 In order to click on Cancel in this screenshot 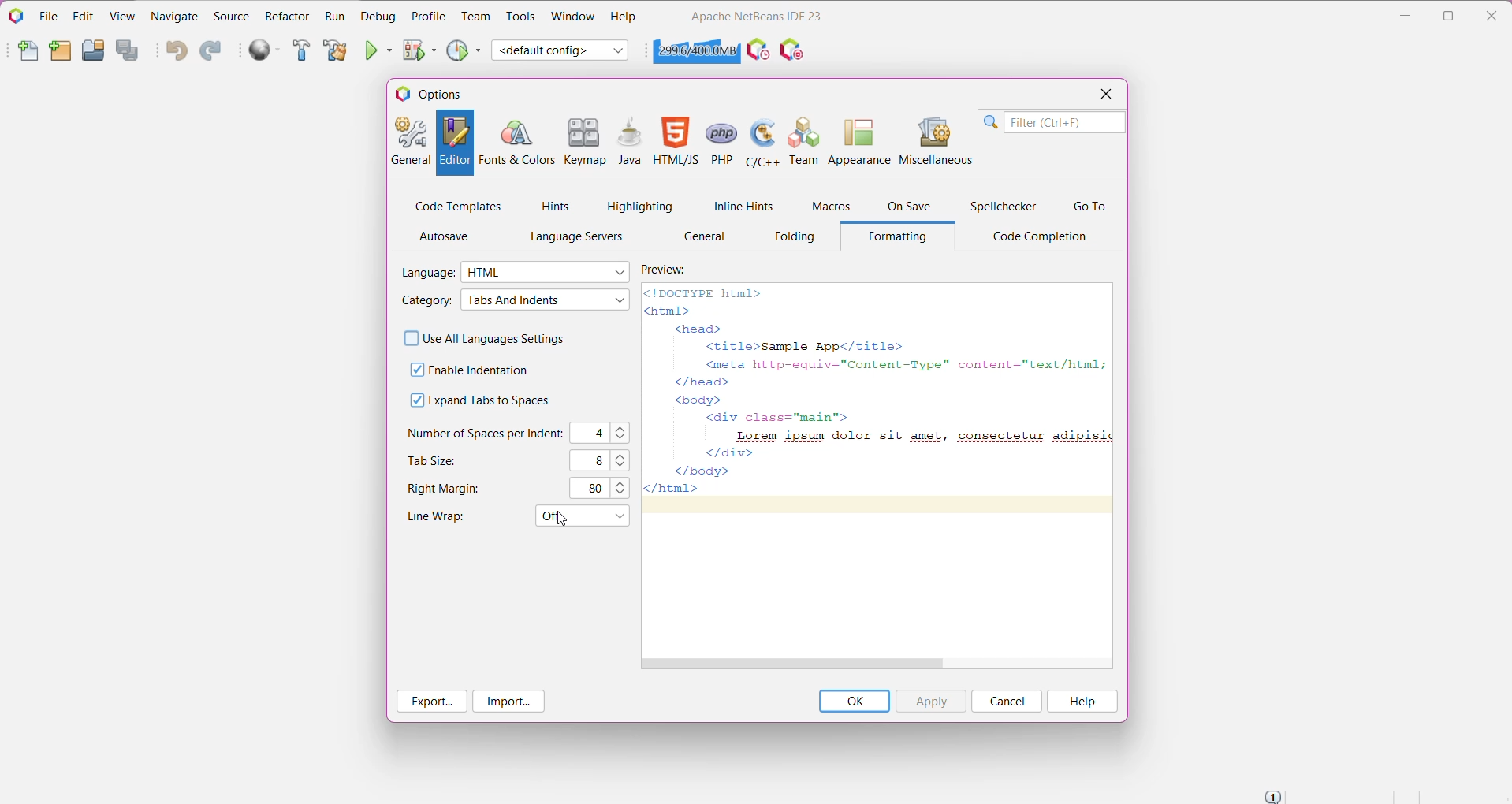, I will do `click(1006, 702)`.